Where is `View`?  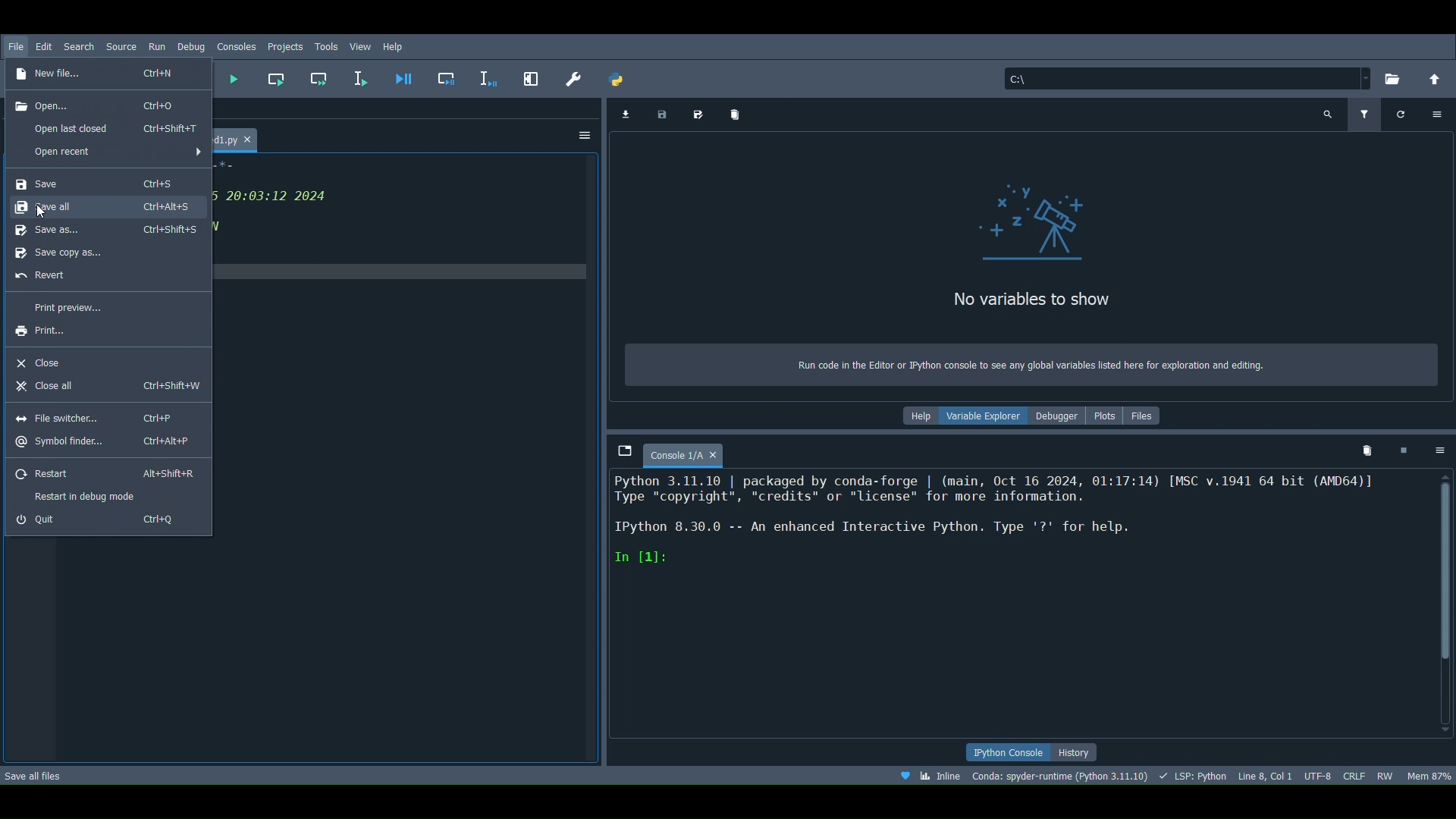
View is located at coordinates (362, 45).